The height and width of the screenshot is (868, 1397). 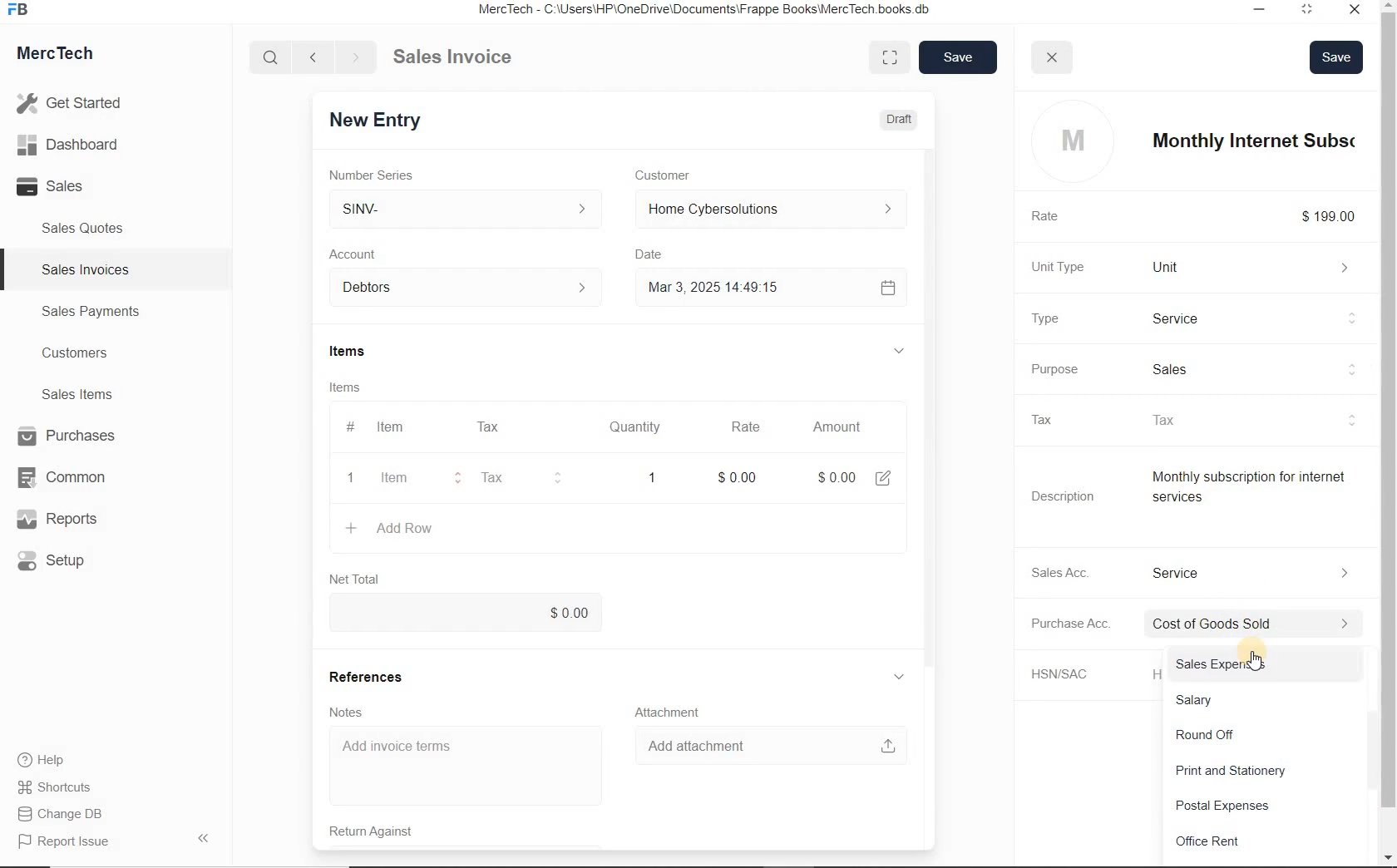 I want to click on Toggle between form and full width, so click(x=890, y=56).